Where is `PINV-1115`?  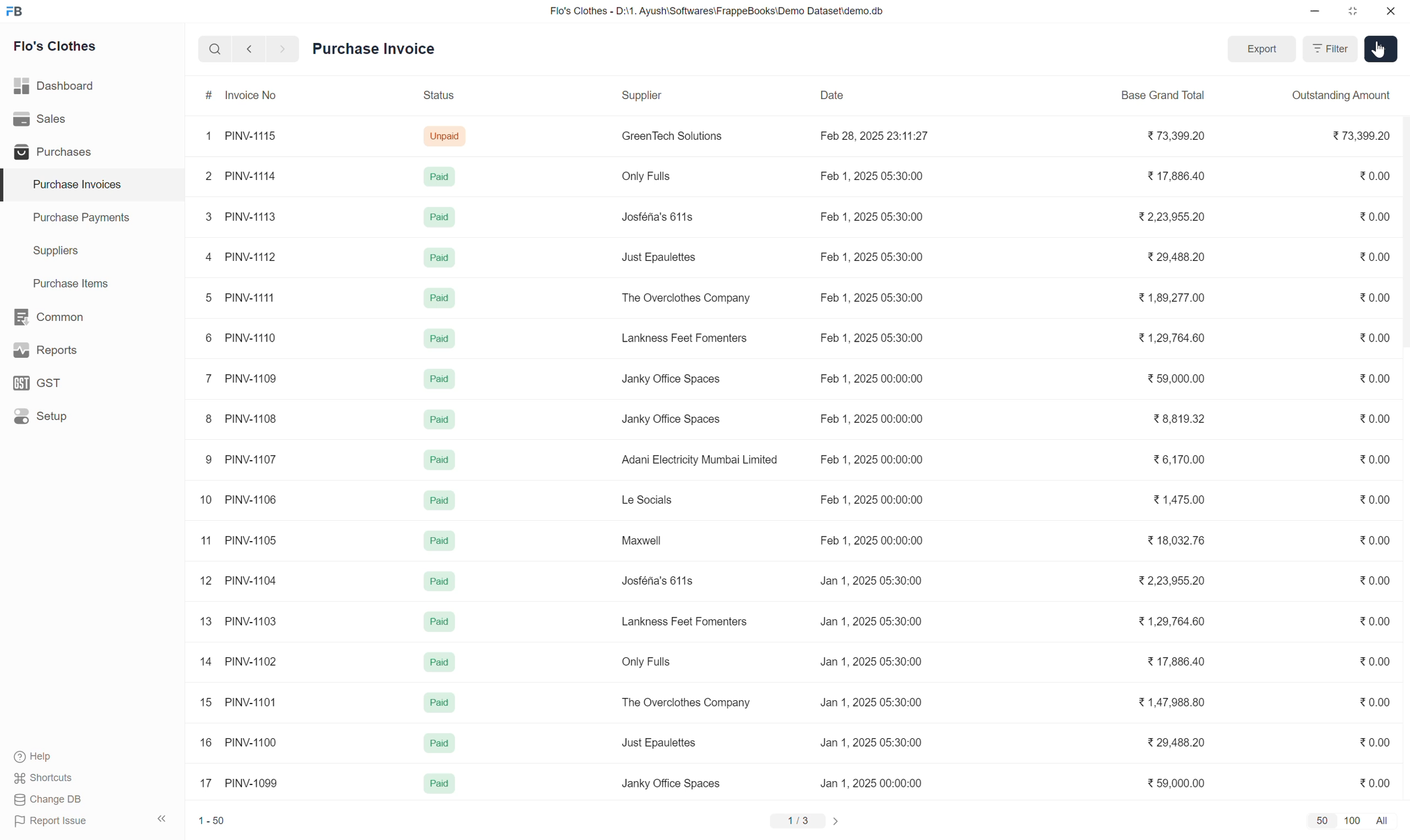 PINV-1115 is located at coordinates (253, 135).